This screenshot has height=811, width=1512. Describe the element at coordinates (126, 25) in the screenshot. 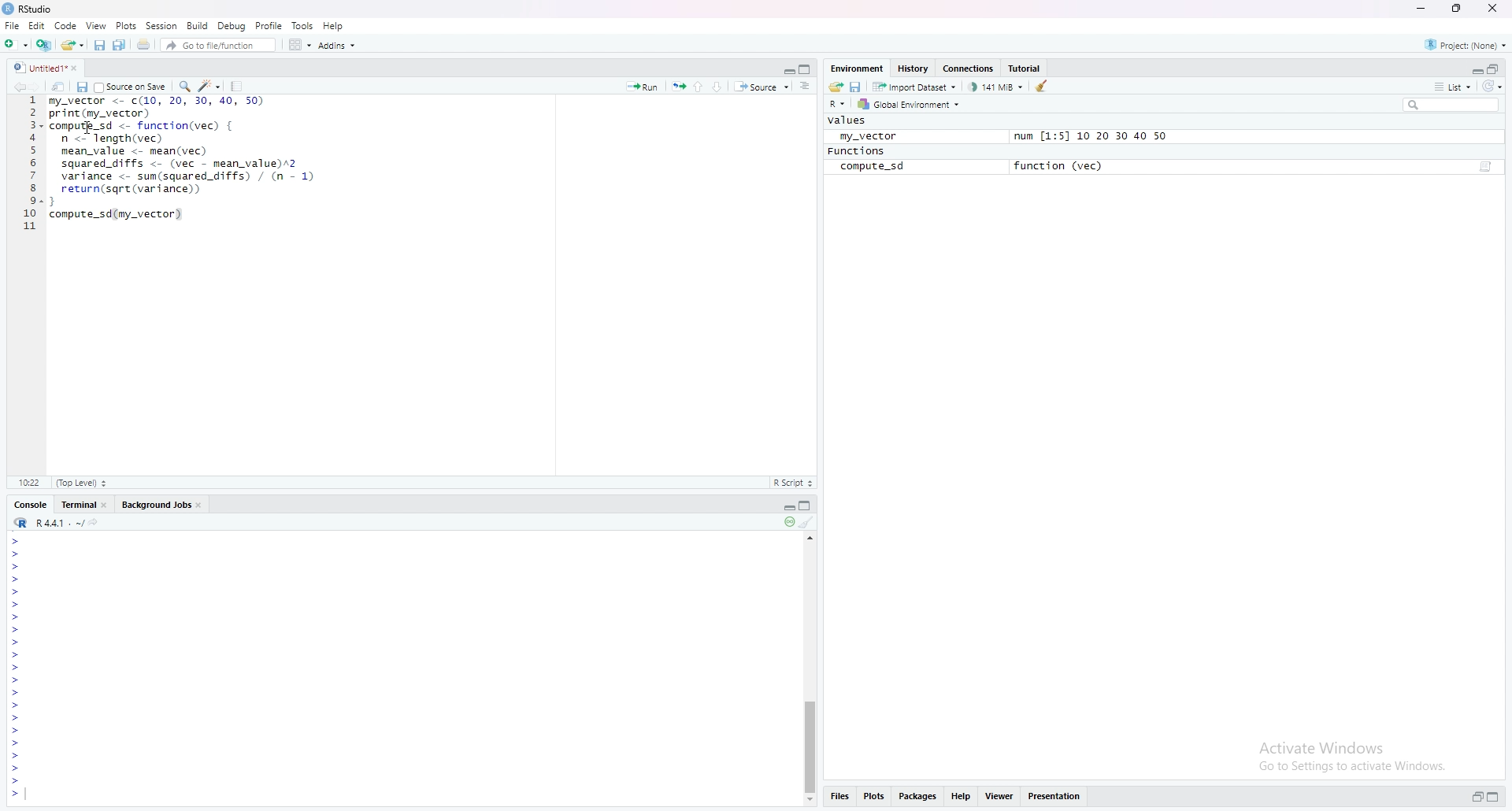

I see `Plots` at that location.